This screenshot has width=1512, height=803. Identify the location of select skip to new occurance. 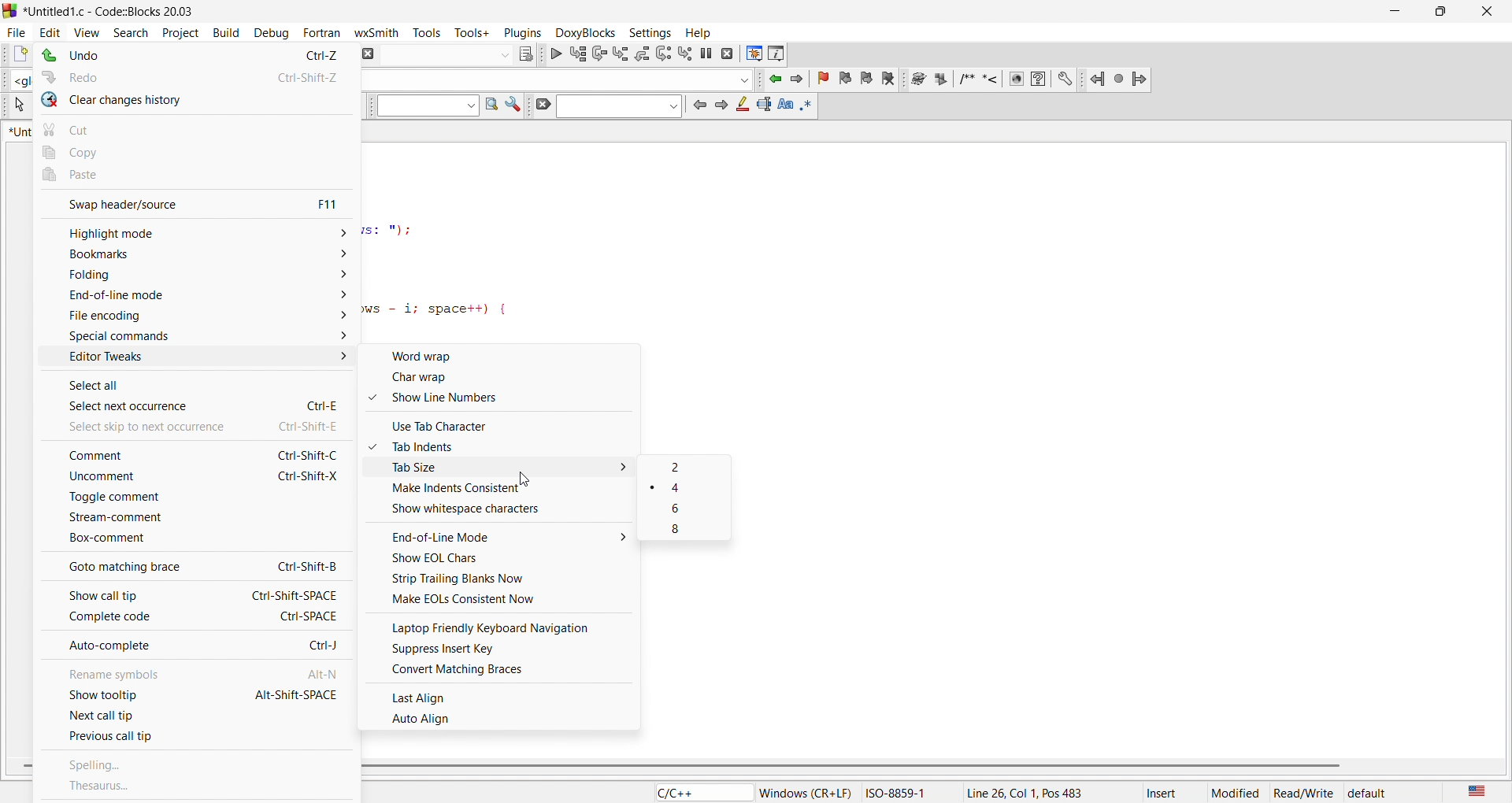
(132, 429).